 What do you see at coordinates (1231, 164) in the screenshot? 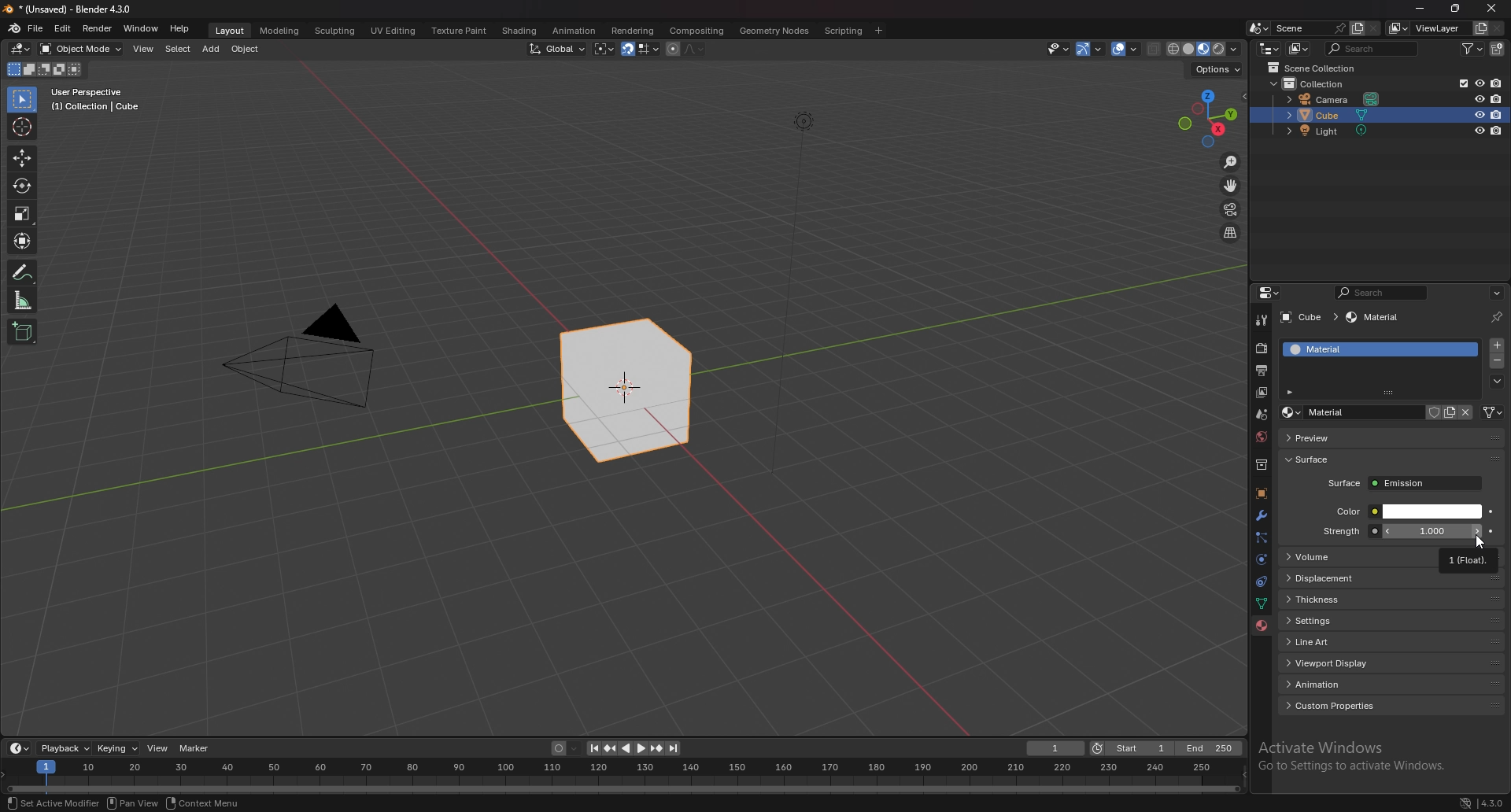
I see `zoom` at bounding box center [1231, 164].